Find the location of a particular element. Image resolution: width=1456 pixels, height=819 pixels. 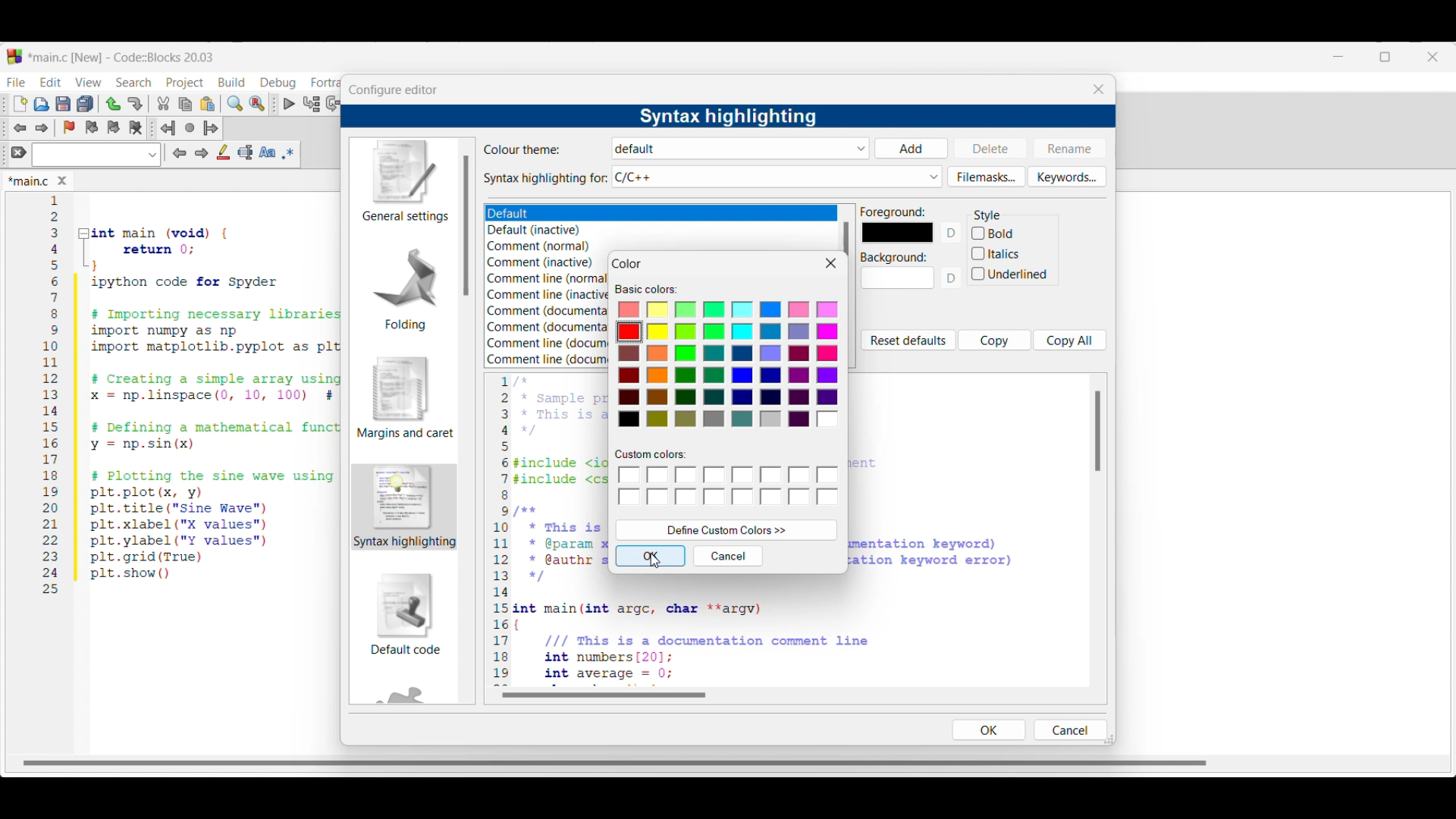

Change tab dimension is located at coordinates (1385, 57).